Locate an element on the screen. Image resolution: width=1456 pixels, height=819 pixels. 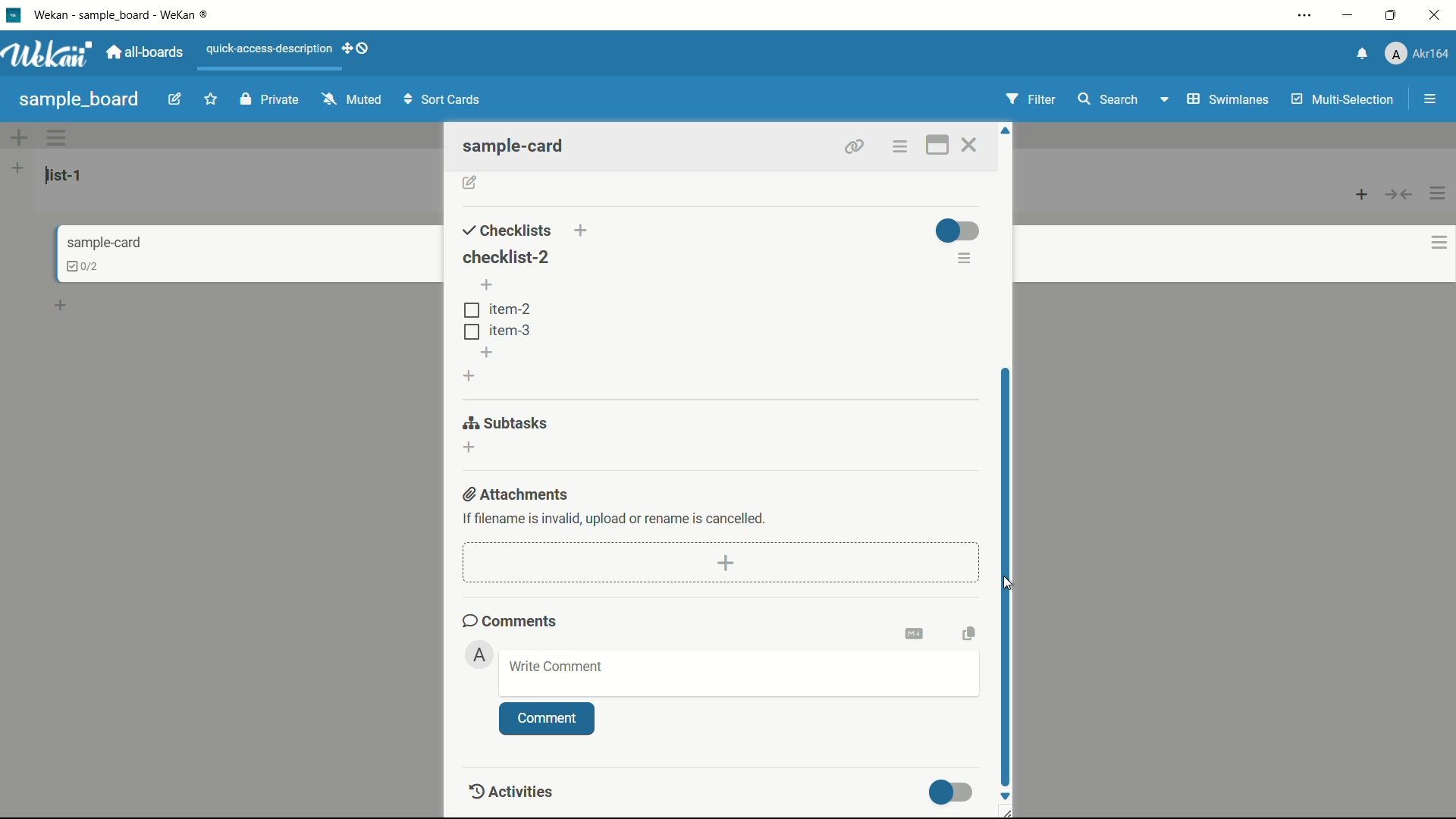
convert to markdown is located at coordinates (917, 632).